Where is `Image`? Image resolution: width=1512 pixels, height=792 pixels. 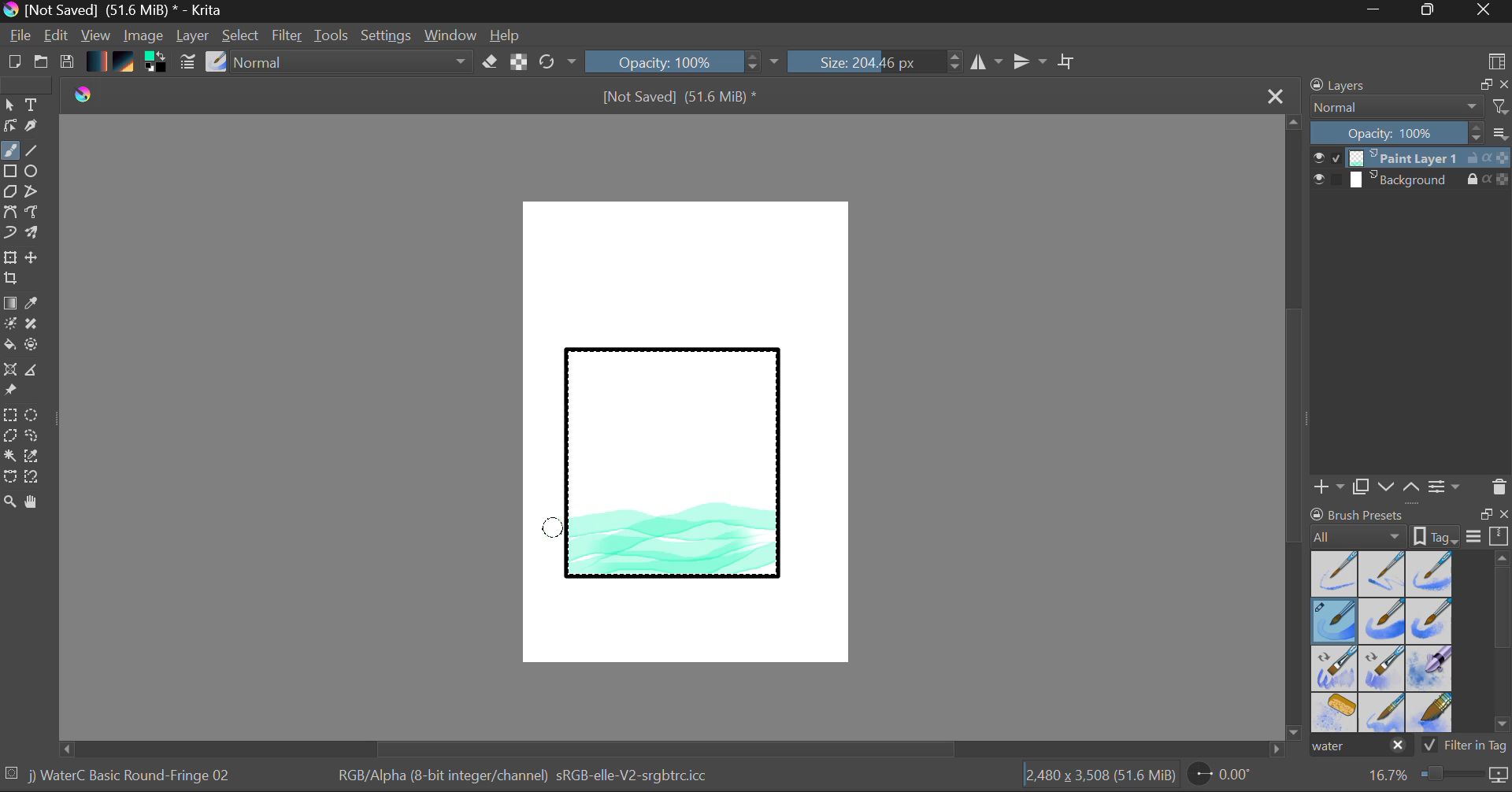 Image is located at coordinates (145, 37).